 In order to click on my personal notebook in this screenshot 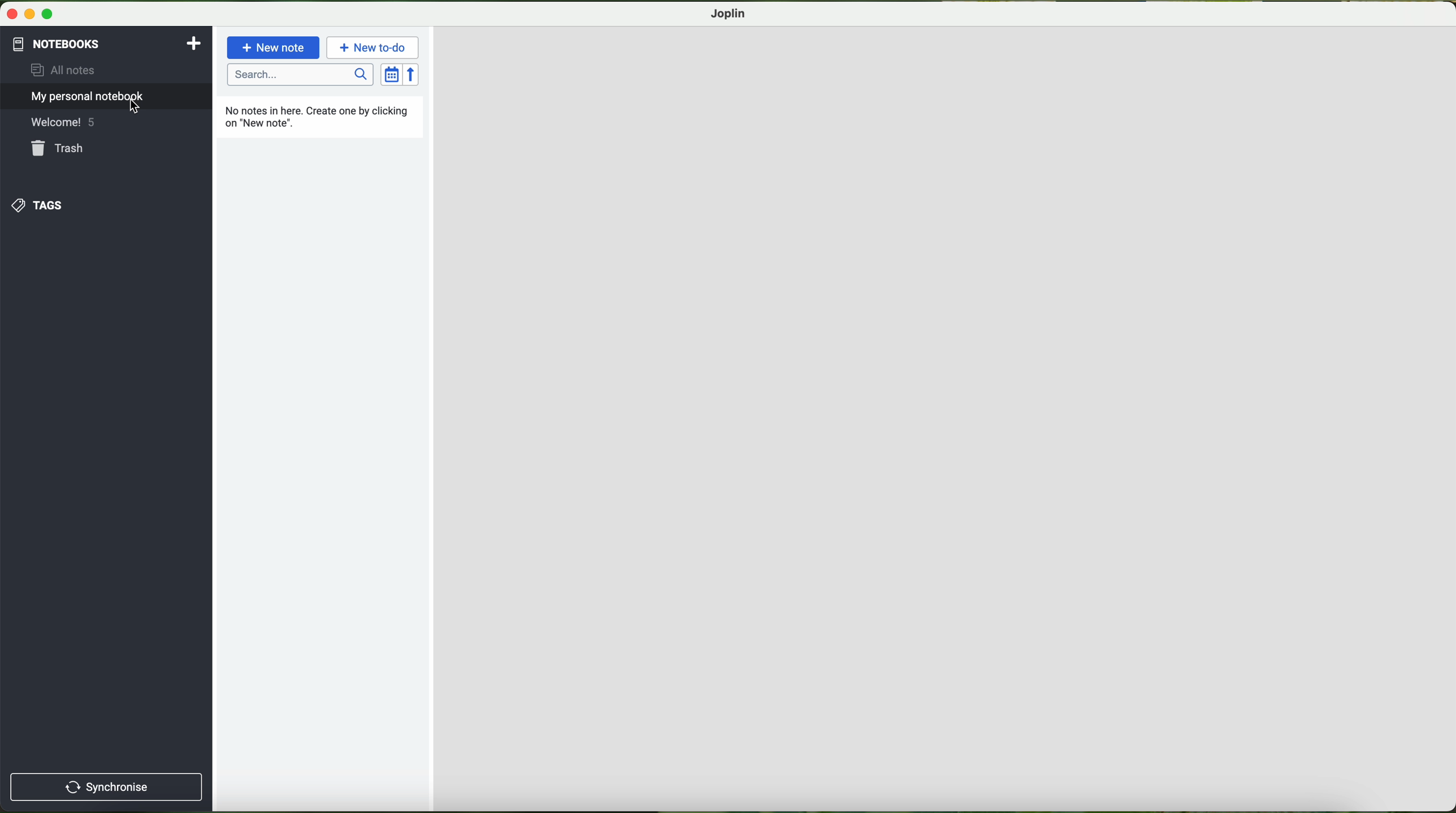, I will do `click(83, 97)`.